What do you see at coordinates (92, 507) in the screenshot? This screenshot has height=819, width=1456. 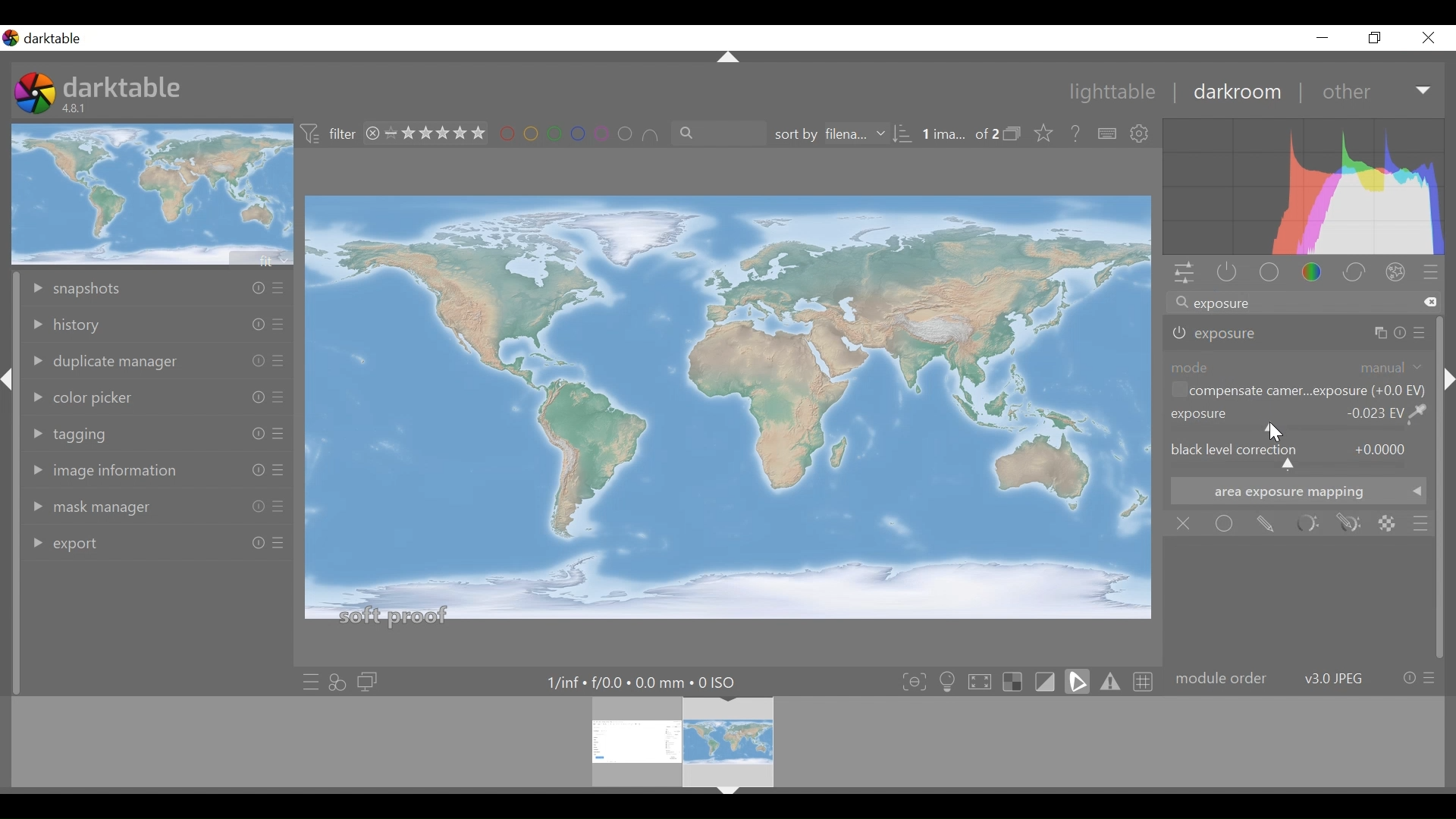 I see `mask manager` at bounding box center [92, 507].